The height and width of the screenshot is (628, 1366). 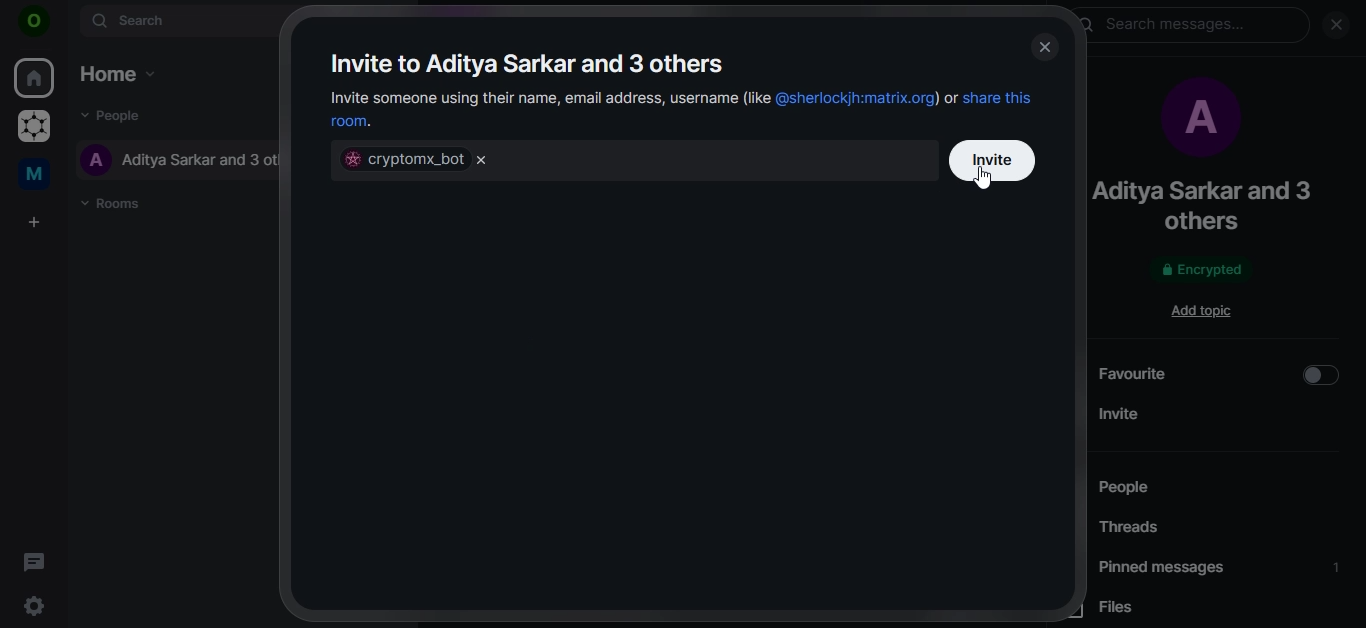 I want to click on cursor, so click(x=983, y=180).